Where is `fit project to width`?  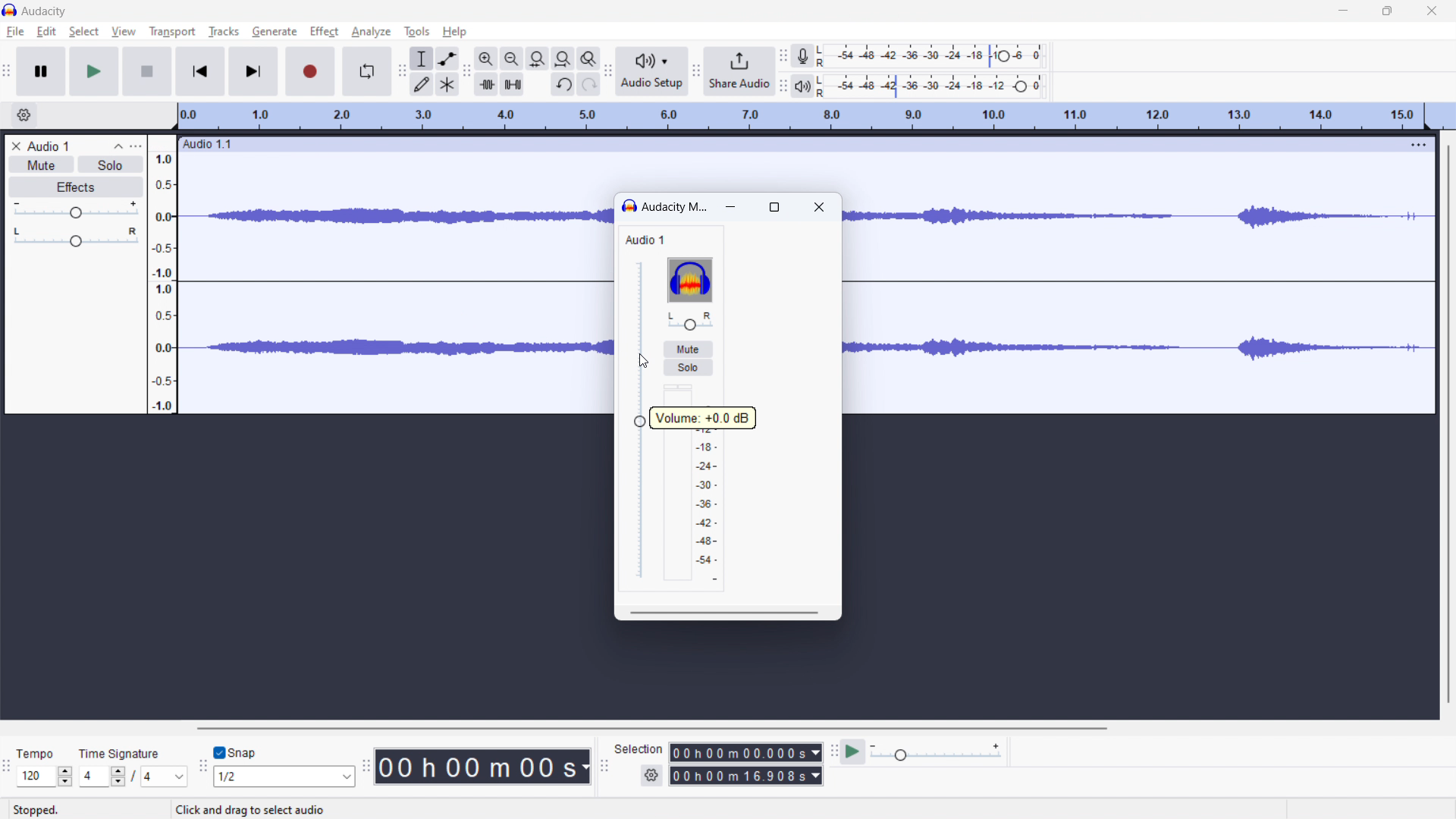
fit project to width is located at coordinates (563, 58).